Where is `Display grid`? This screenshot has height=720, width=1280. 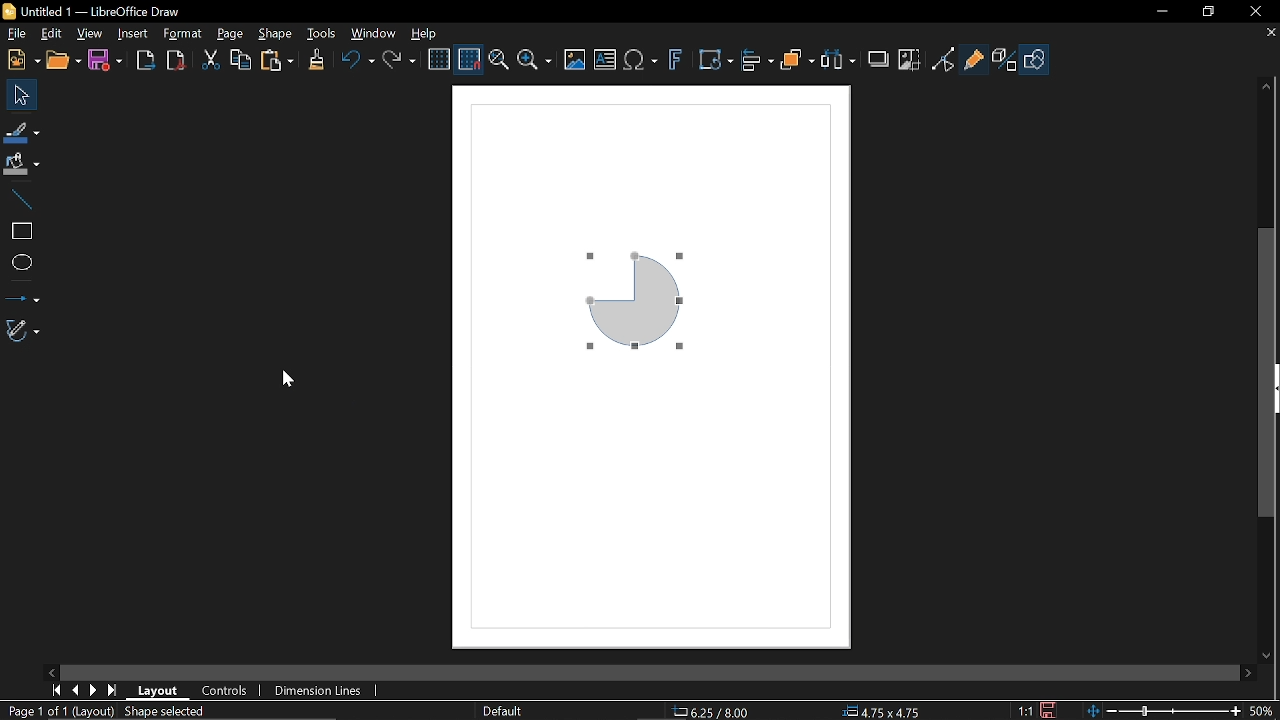 Display grid is located at coordinates (439, 60).